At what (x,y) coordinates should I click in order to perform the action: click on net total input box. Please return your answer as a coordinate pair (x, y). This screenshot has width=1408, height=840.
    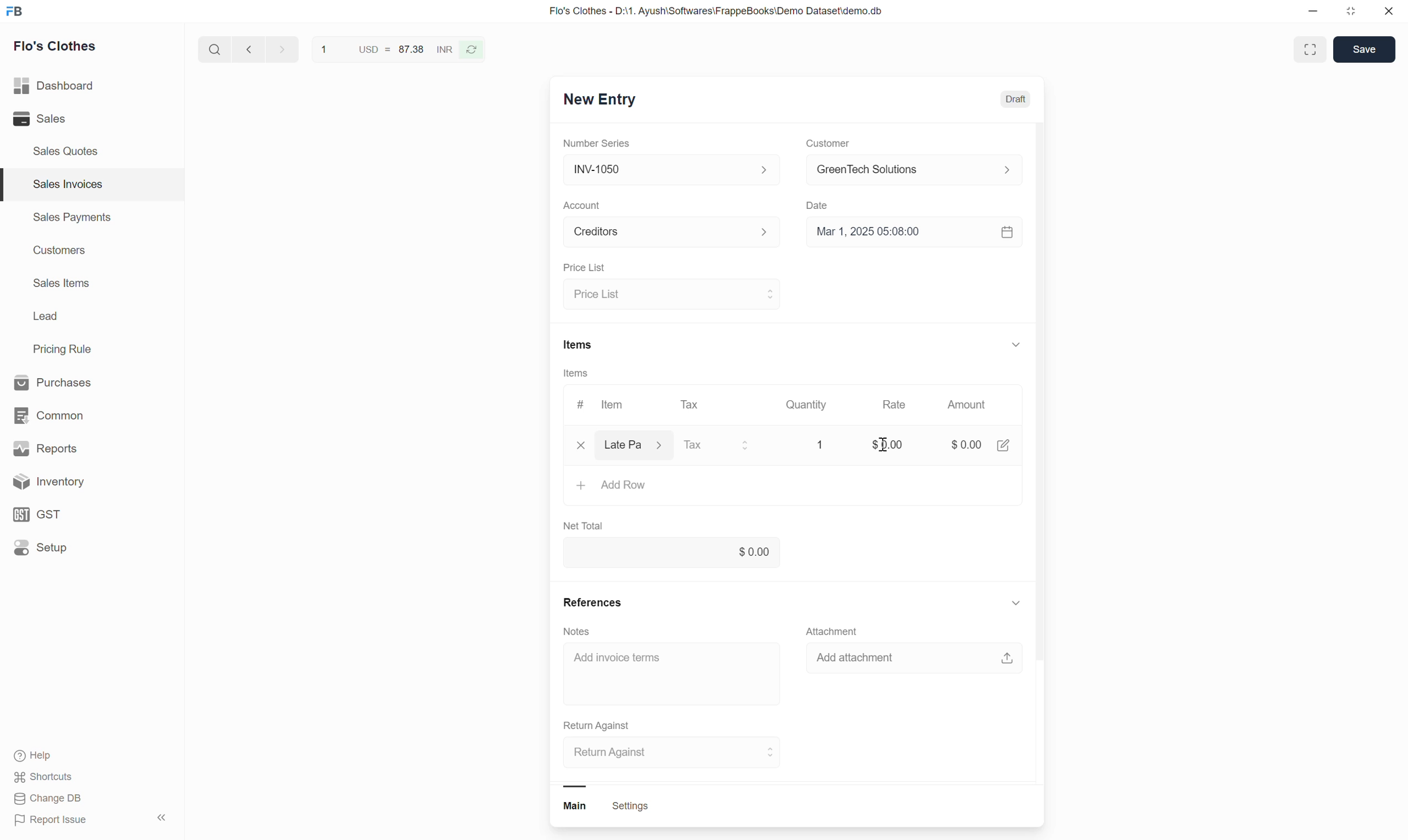
    Looking at the image, I should click on (781, 551).